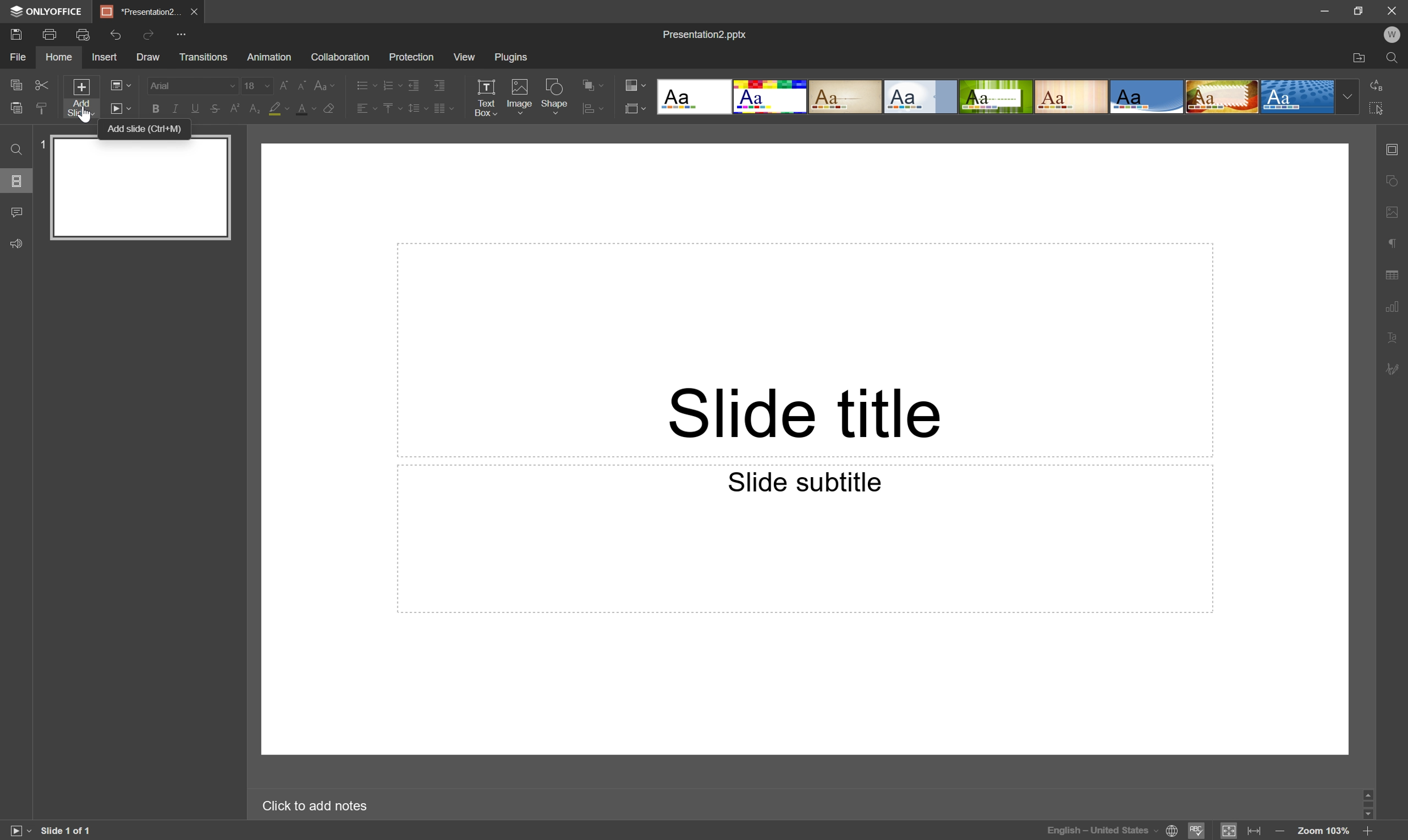 The width and height of the screenshot is (1408, 840). What do you see at coordinates (441, 84) in the screenshot?
I see `Increase indent` at bounding box center [441, 84].